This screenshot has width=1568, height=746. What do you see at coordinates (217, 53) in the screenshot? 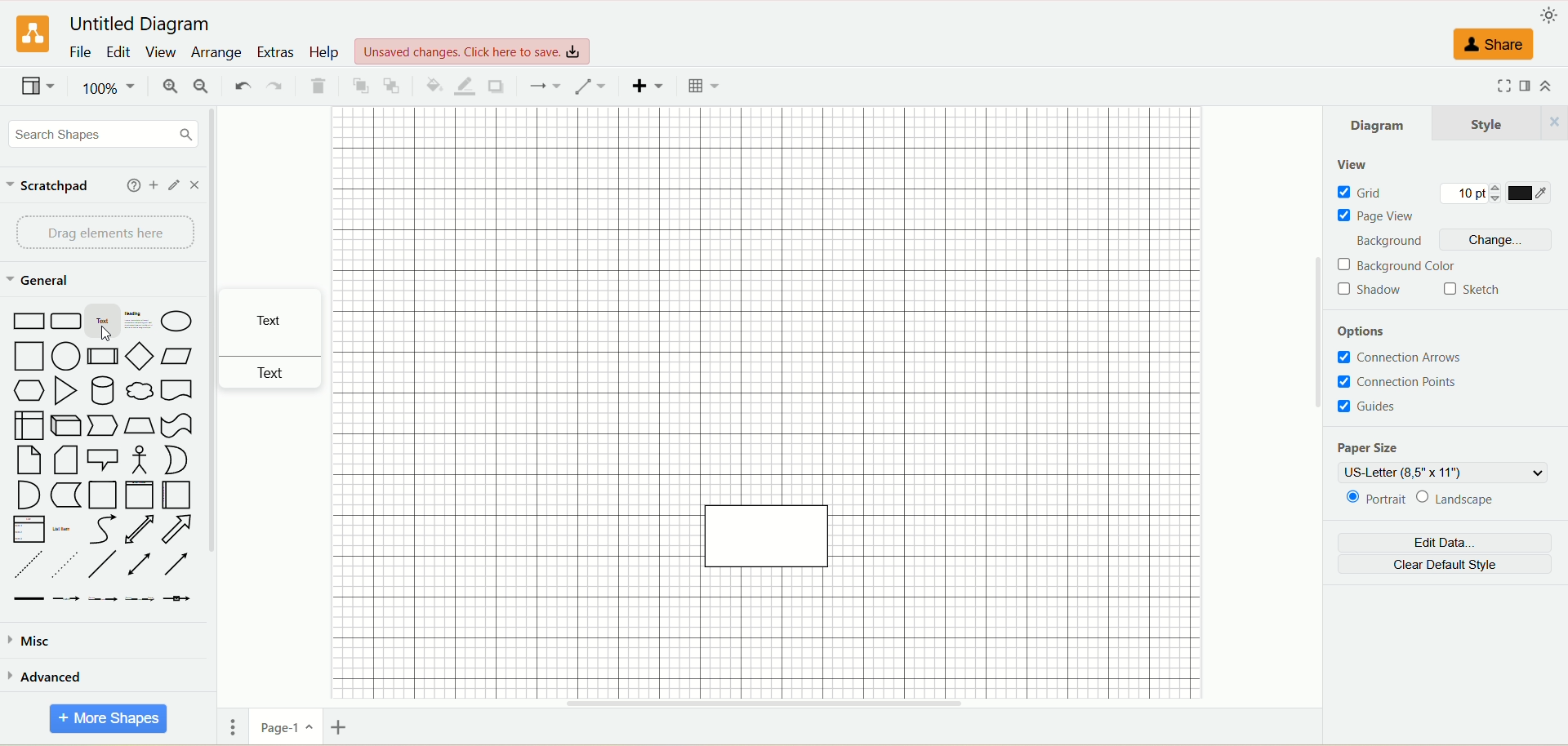
I see `arrange` at bounding box center [217, 53].